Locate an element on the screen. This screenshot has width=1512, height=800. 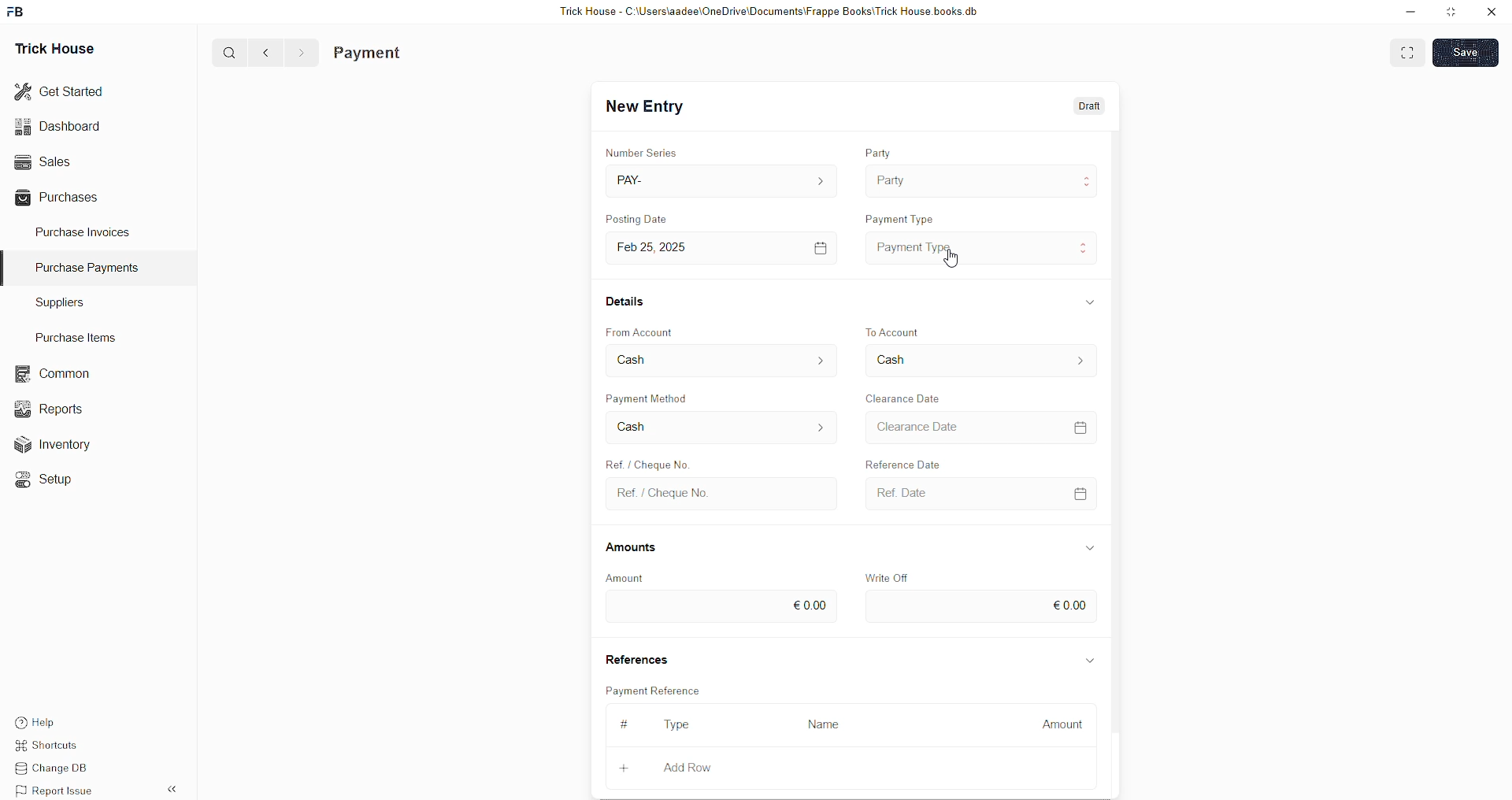
To Account is located at coordinates (896, 331).